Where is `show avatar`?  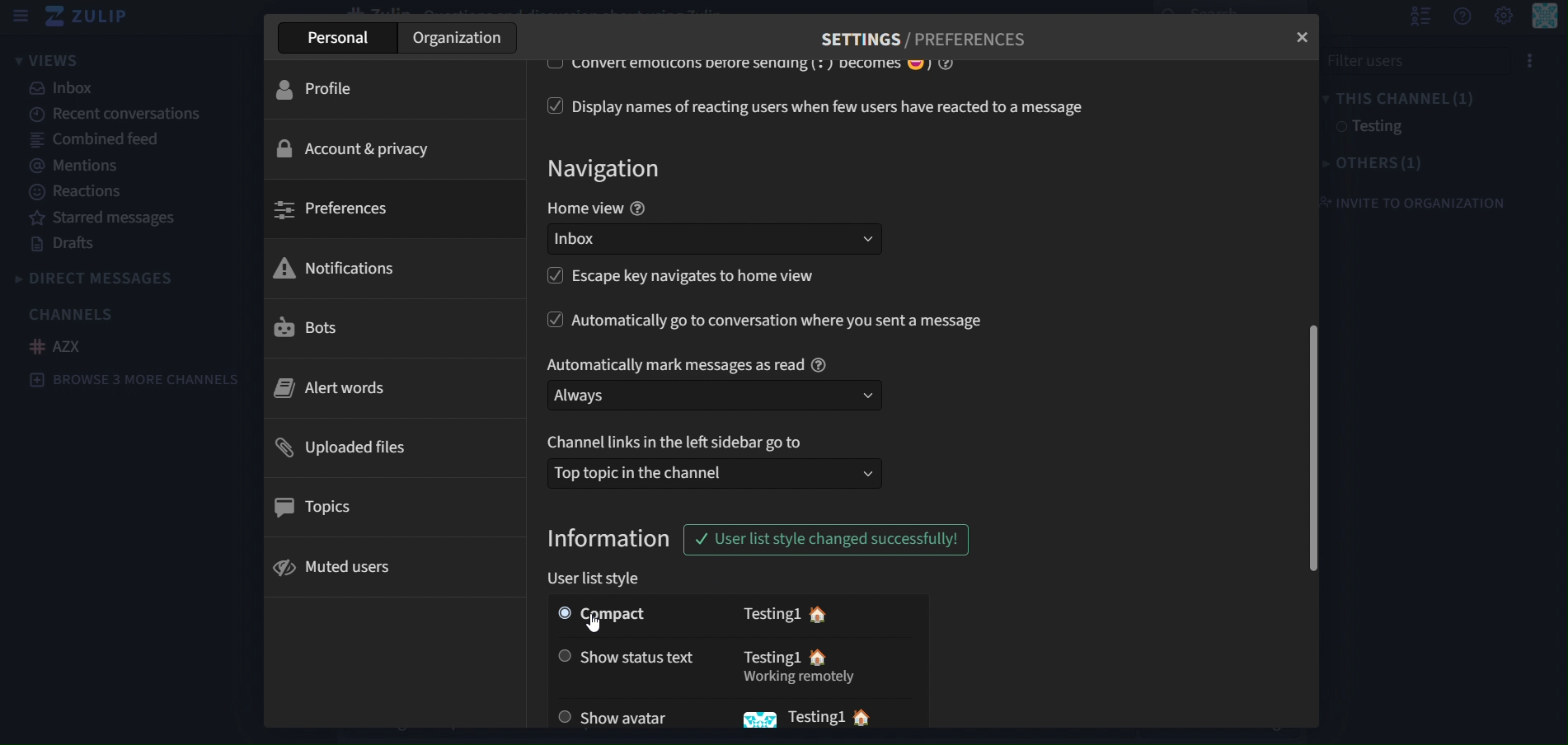 show avatar is located at coordinates (619, 716).